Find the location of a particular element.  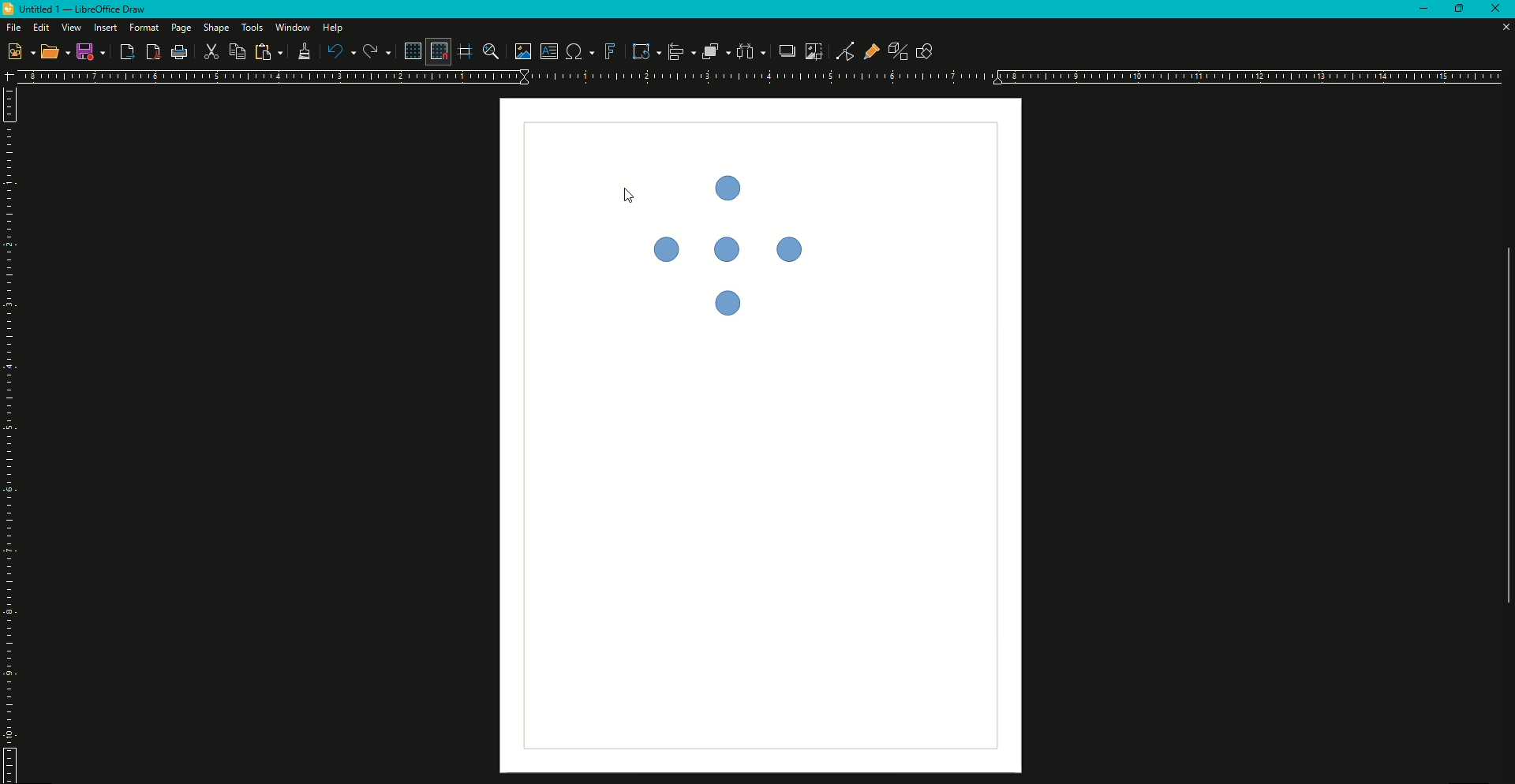

Toggle Extrusion is located at coordinates (900, 52).